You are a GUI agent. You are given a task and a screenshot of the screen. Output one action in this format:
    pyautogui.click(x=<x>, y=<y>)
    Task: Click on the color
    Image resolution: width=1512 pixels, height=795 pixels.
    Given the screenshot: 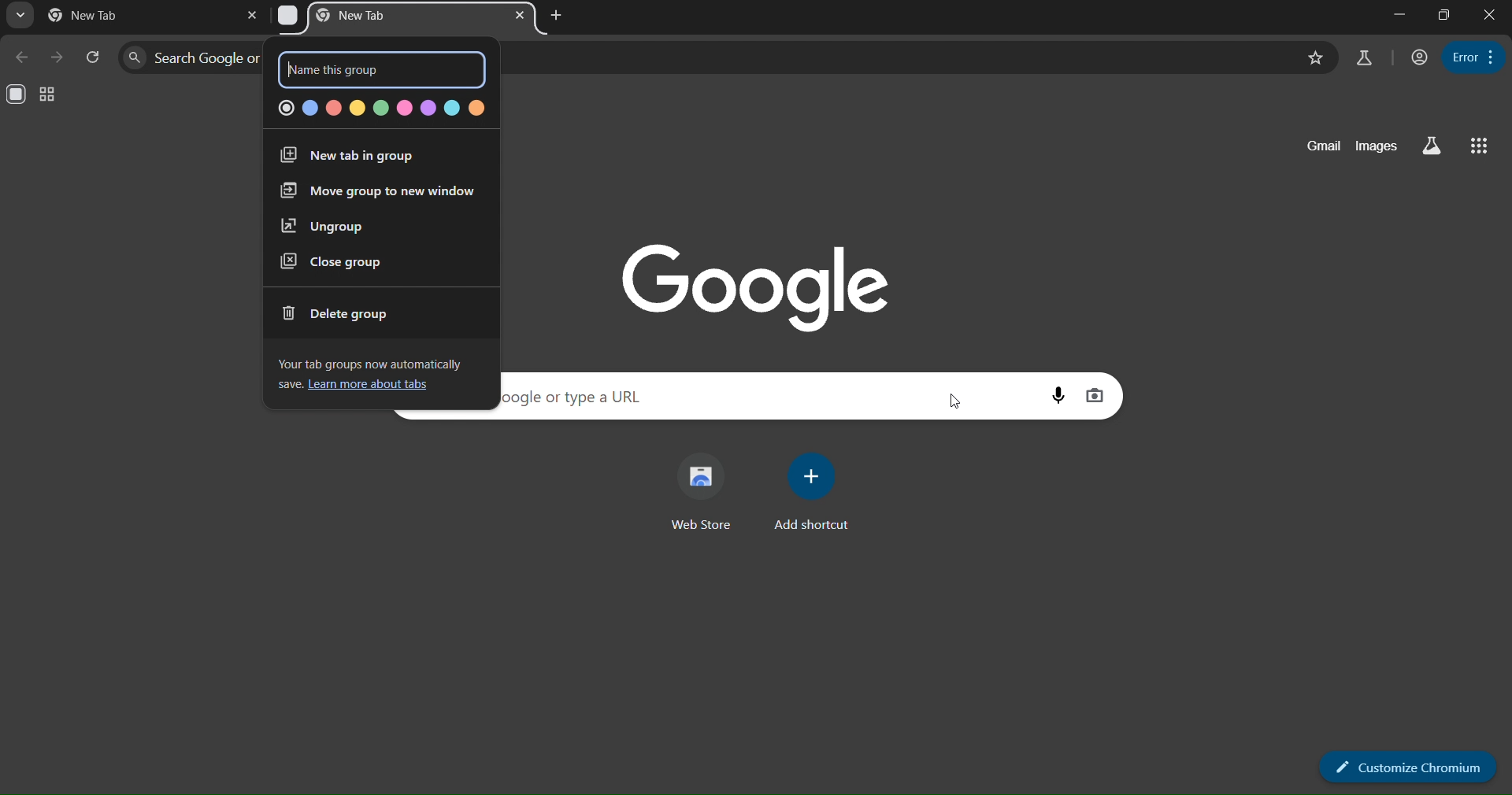 What is the action you would take?
    pyautogui.click(x=380, y=110)
    